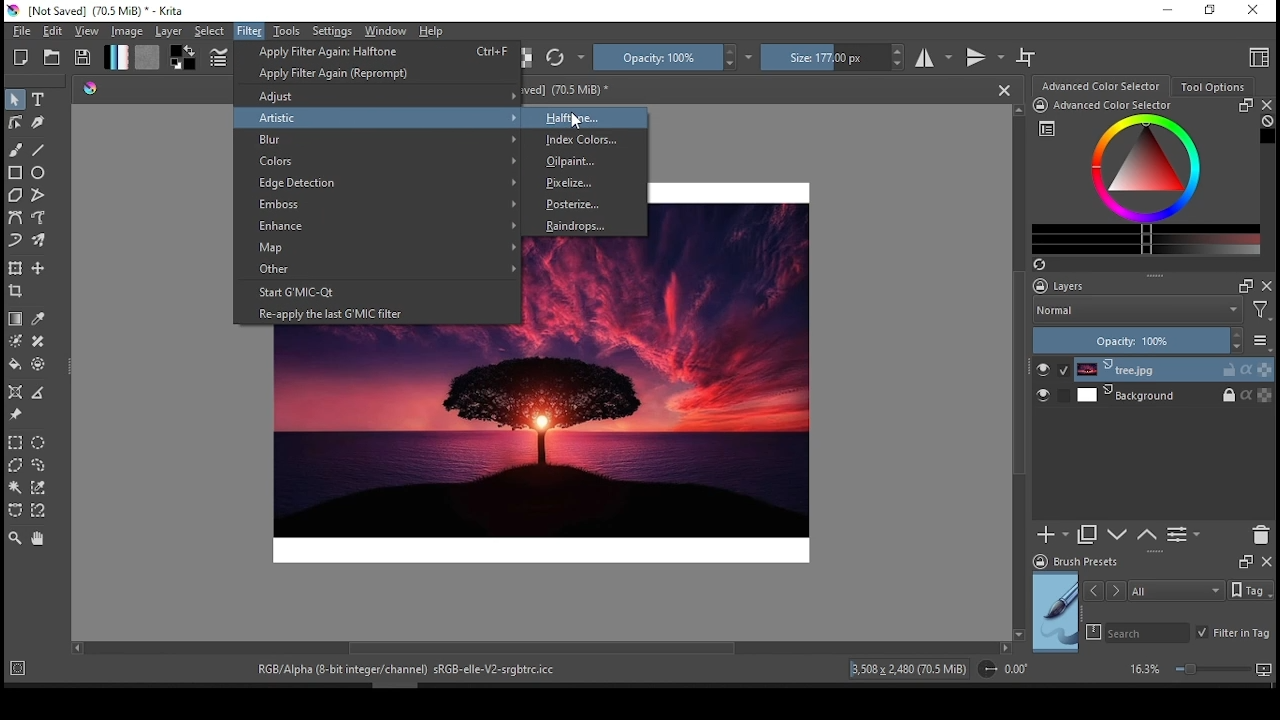 Image resolution: width=1280 pixels, height=720 pixels. Describe the element at coordinates (432, 32) in the screenshot. I see `help` at that location.